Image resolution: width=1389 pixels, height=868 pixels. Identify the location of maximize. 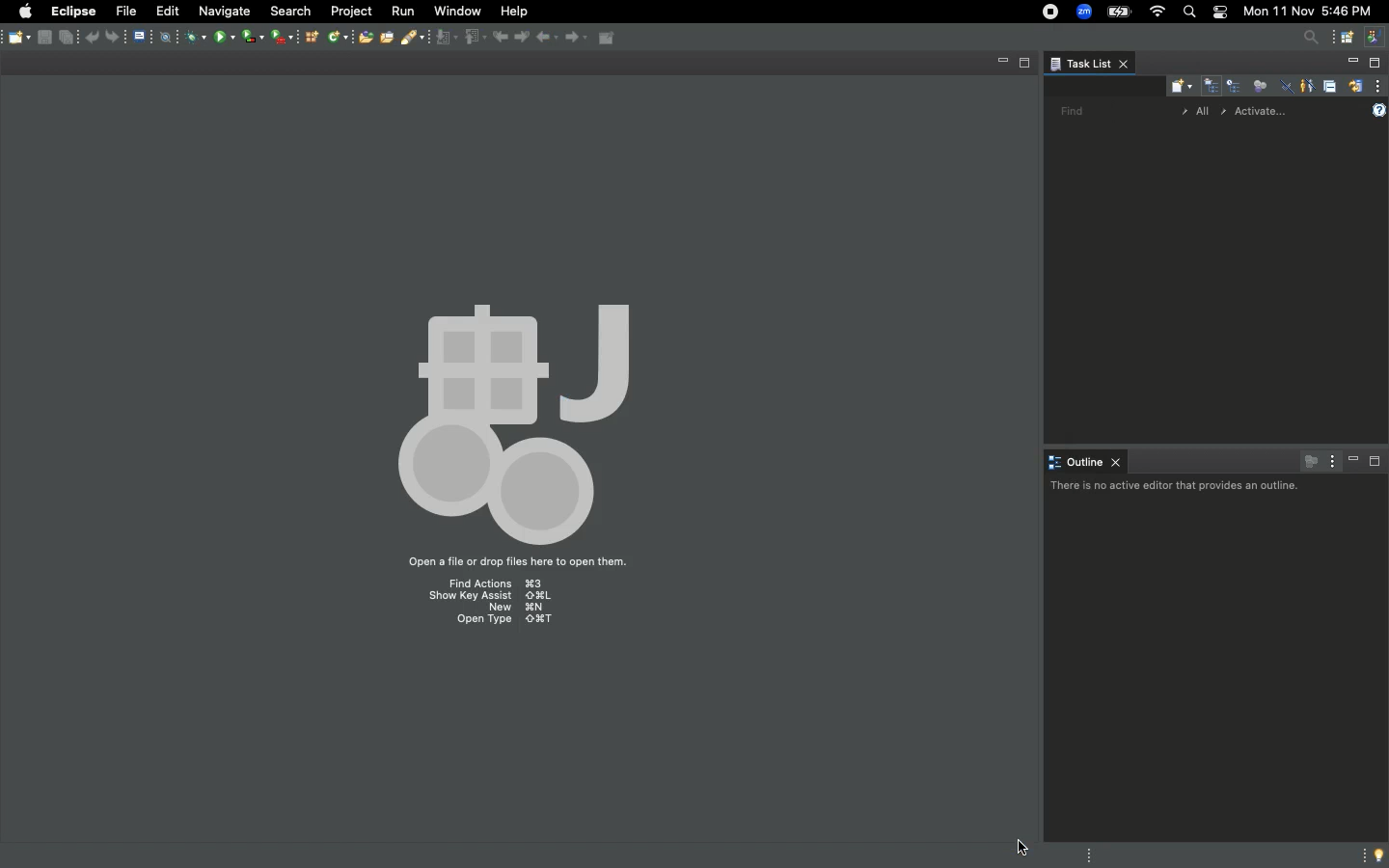
(31, 41).